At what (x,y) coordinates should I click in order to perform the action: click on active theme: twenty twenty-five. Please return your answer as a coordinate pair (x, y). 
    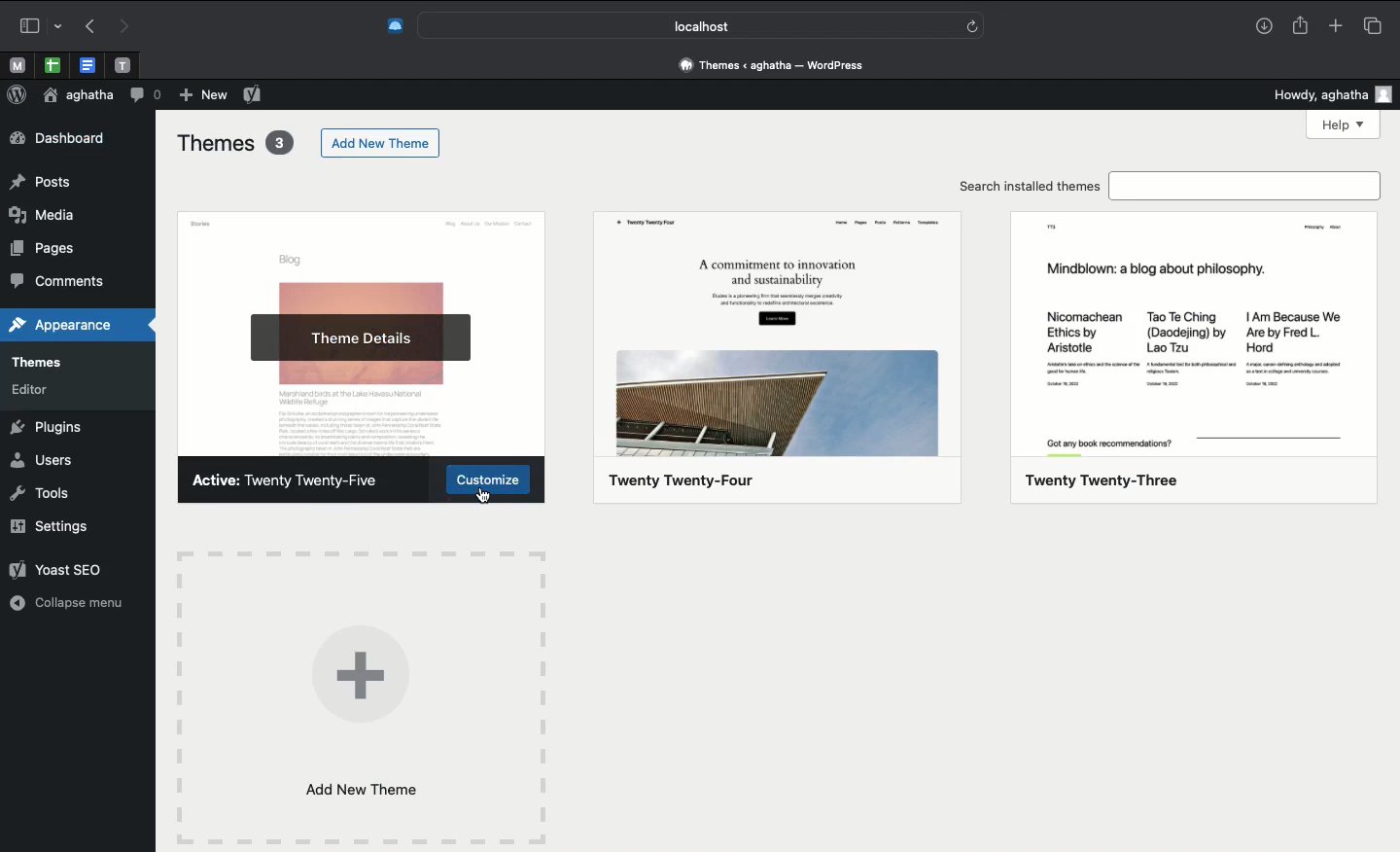
    Looking at the image, I should click on (283, 479).